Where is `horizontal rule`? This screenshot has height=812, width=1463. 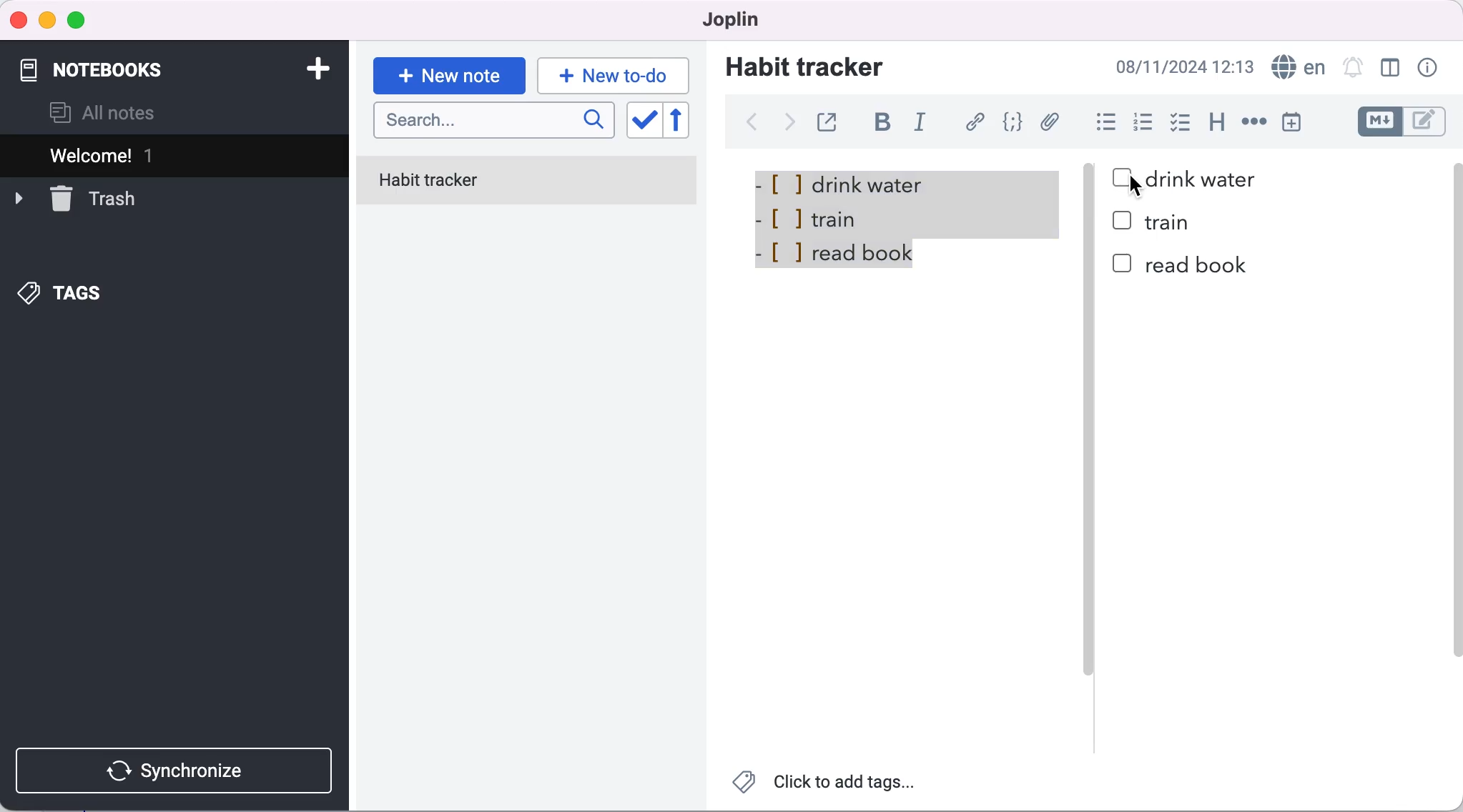 horizontal rule is located at coordinates (1253, 123).